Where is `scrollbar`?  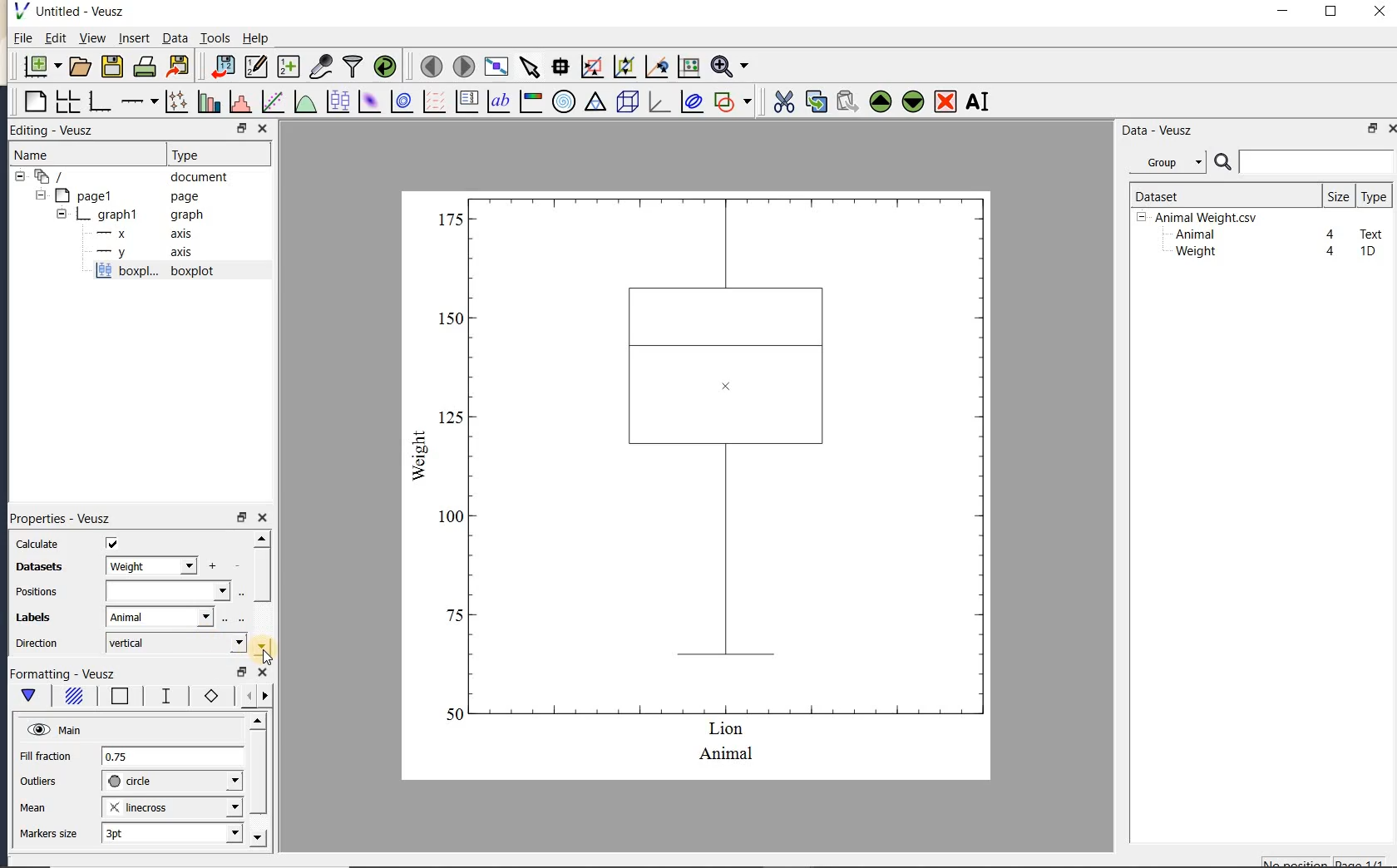
scrollbar is located at coordinates (261, 594).